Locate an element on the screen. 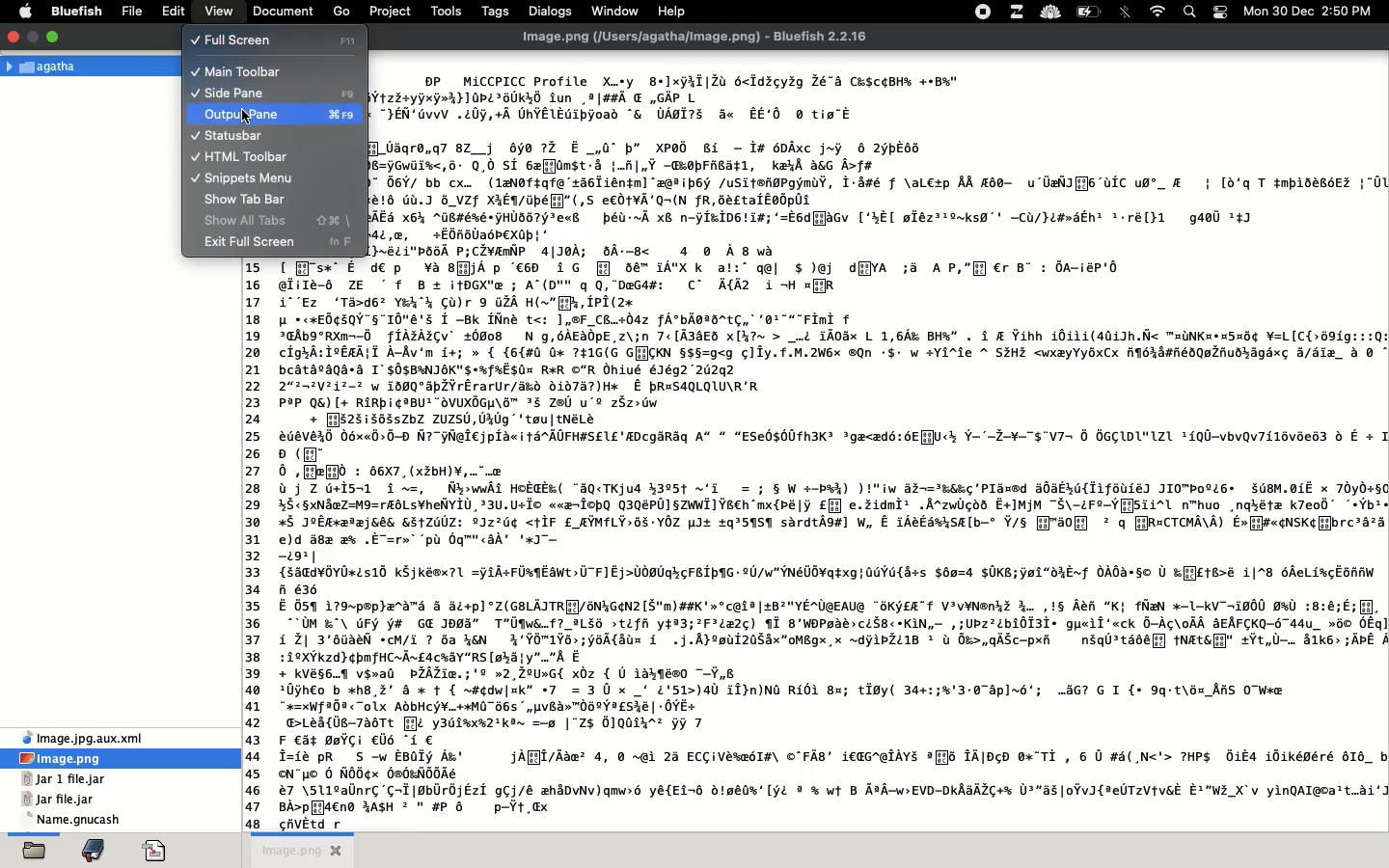 This screenshot has width=1389, height=868. extensions is located at coordinates (1019, 11).